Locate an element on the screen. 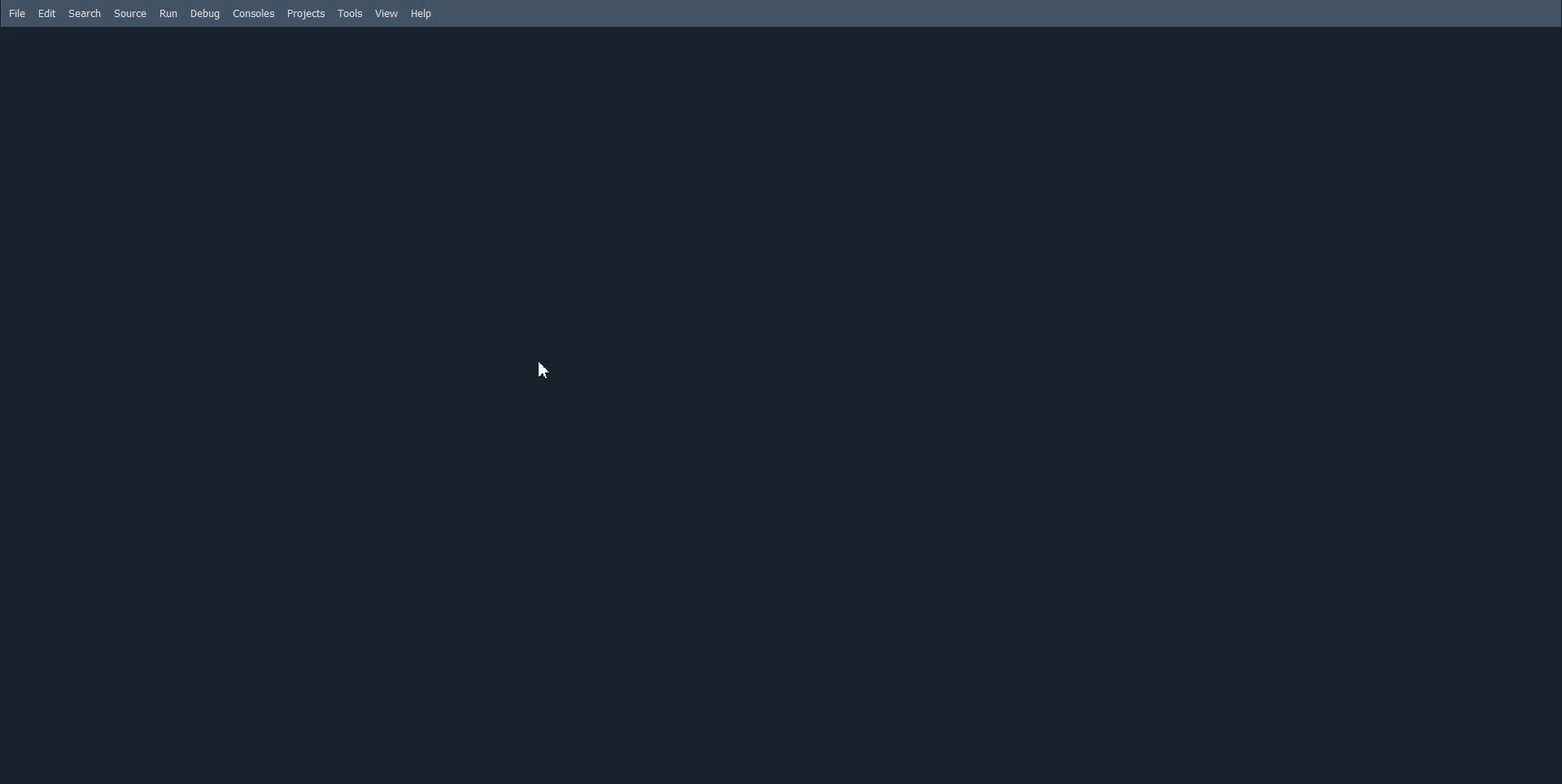 The height and width of the screenshot is (784, 1562). Consoles is located at coordinates (255, 14).